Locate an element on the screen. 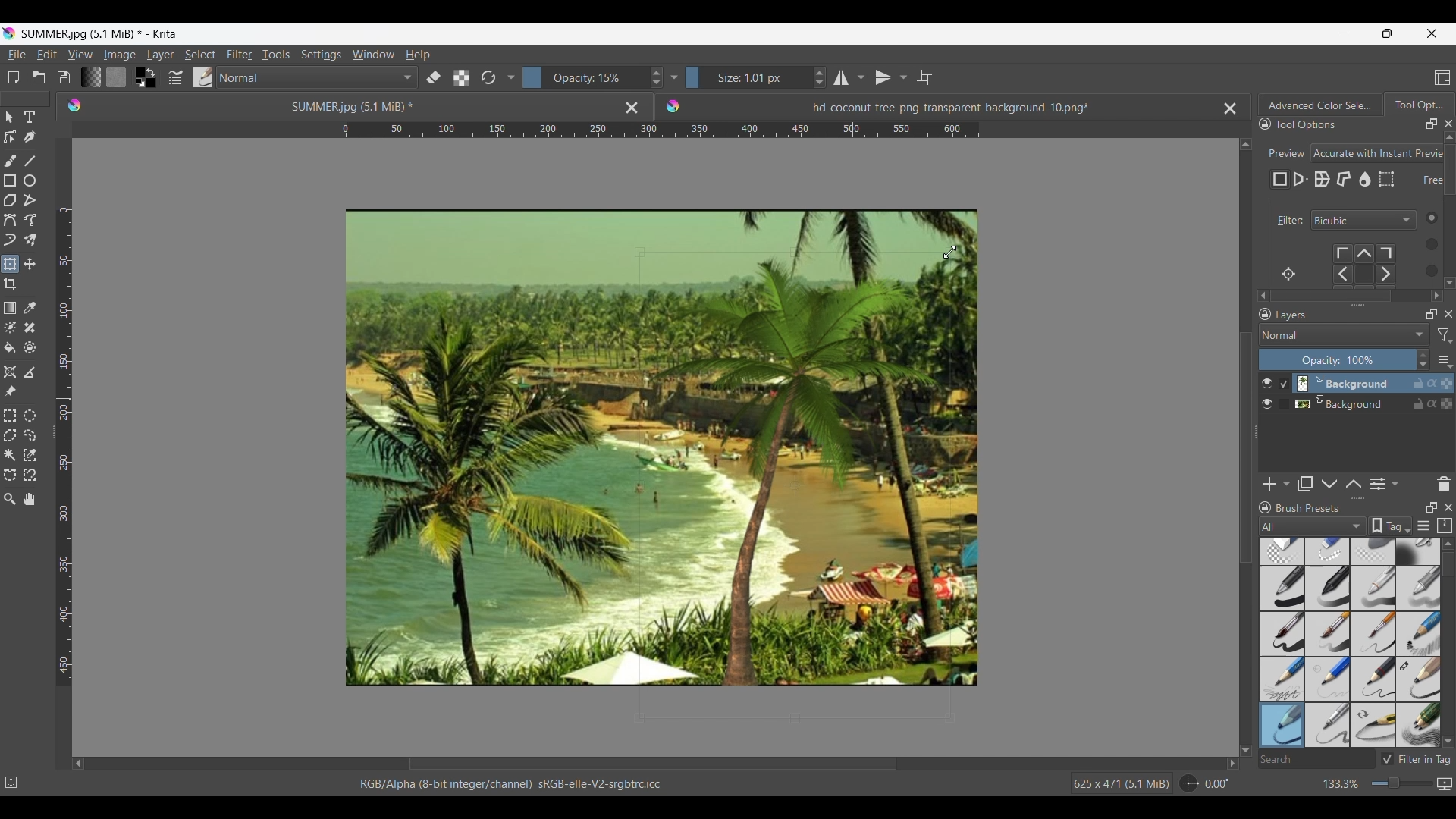 The width and height of the screenshot is (1456, 819). basic 5 - size opacity is located at coordinates (1329, 634).